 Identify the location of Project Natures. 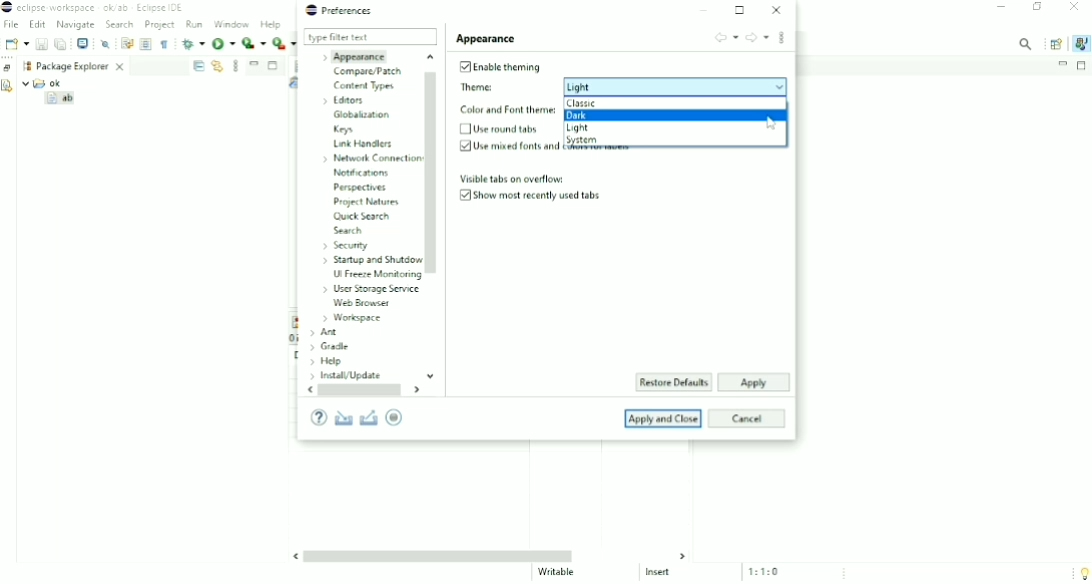
(364, 202).